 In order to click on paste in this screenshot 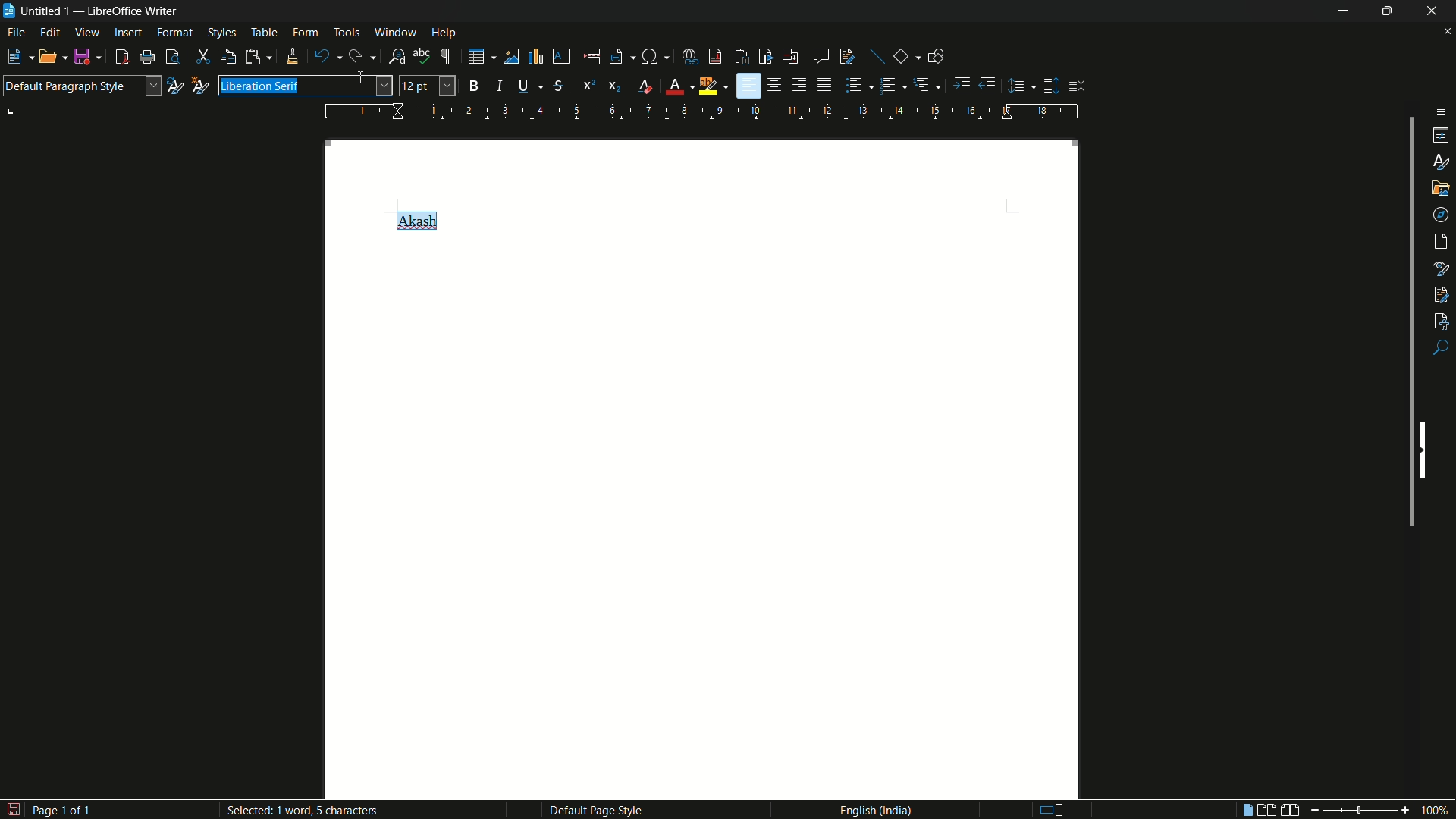, I will do `click(253, 56)`.